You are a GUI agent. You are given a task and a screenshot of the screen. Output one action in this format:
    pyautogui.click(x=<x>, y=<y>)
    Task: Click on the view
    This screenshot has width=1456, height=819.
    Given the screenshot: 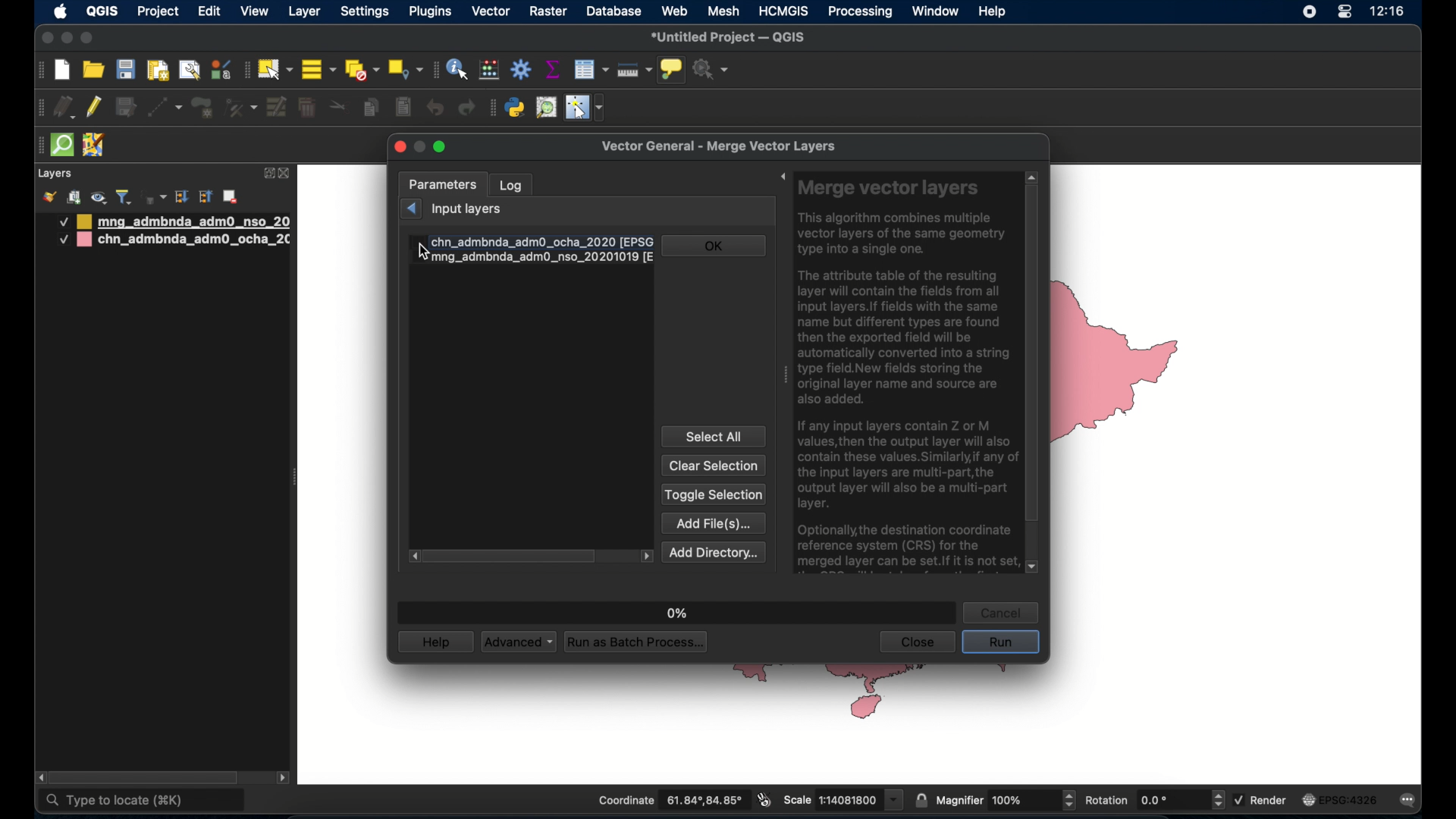 What is the action you would take?
    pyautogui.click(x=255, y=13)
    